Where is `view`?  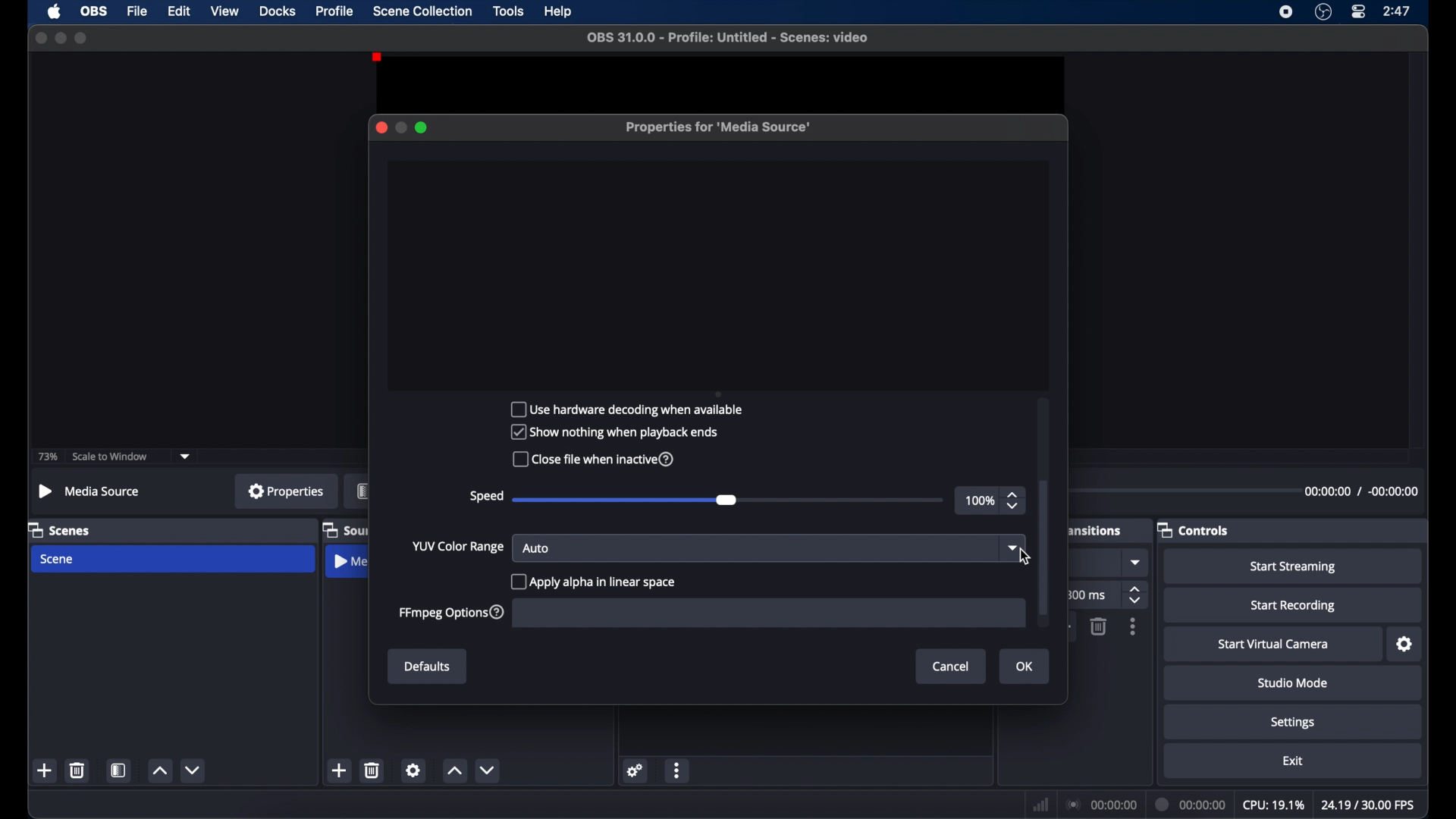 view is located at coordinates (226, 11).